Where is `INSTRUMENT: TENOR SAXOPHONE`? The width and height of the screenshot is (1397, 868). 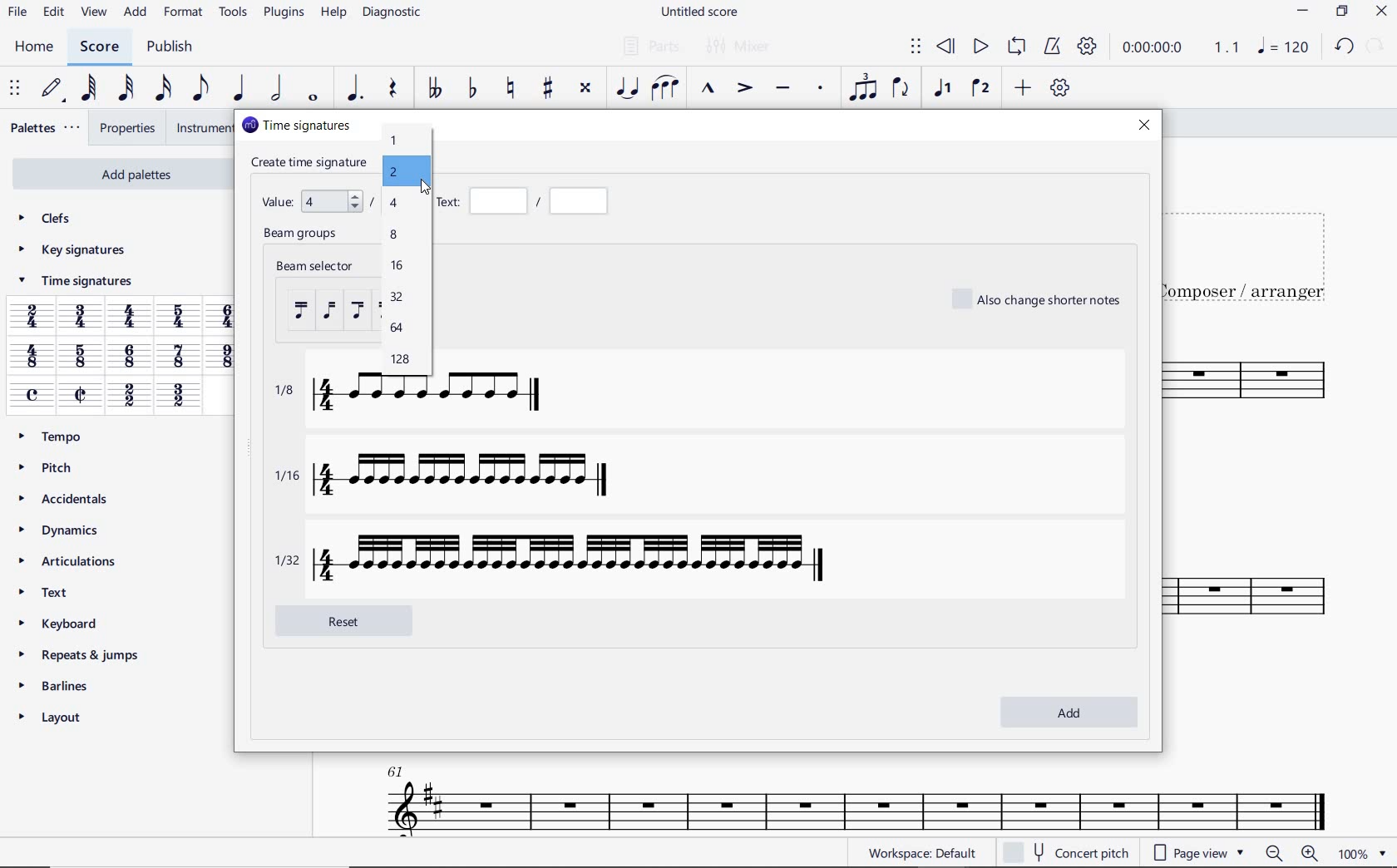
INSTRUMENT: TENOR SAXOPHONE is located at coordinates (1256, 502).